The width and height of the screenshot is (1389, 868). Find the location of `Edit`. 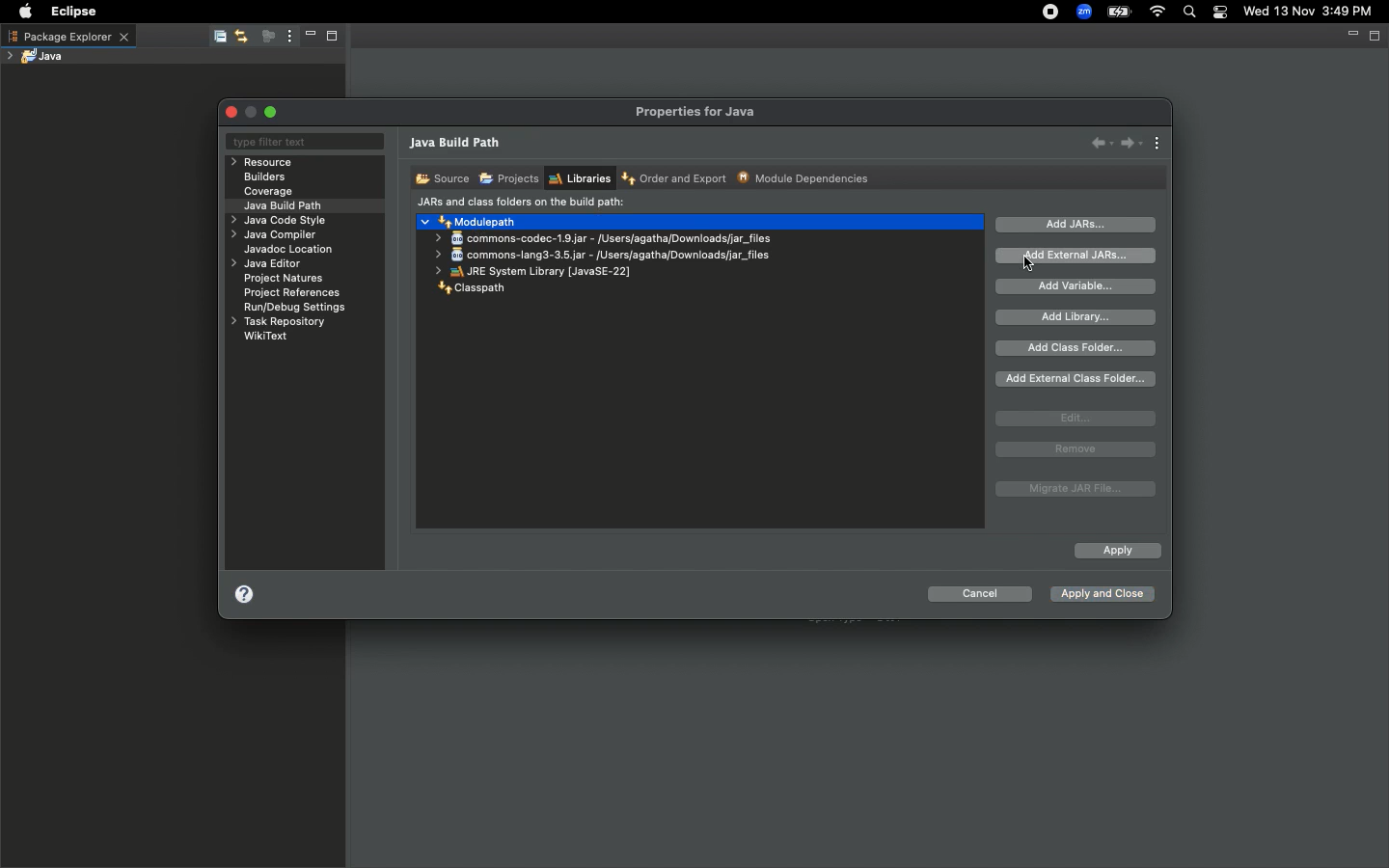

Edit is located at coordinates (1076, 419).